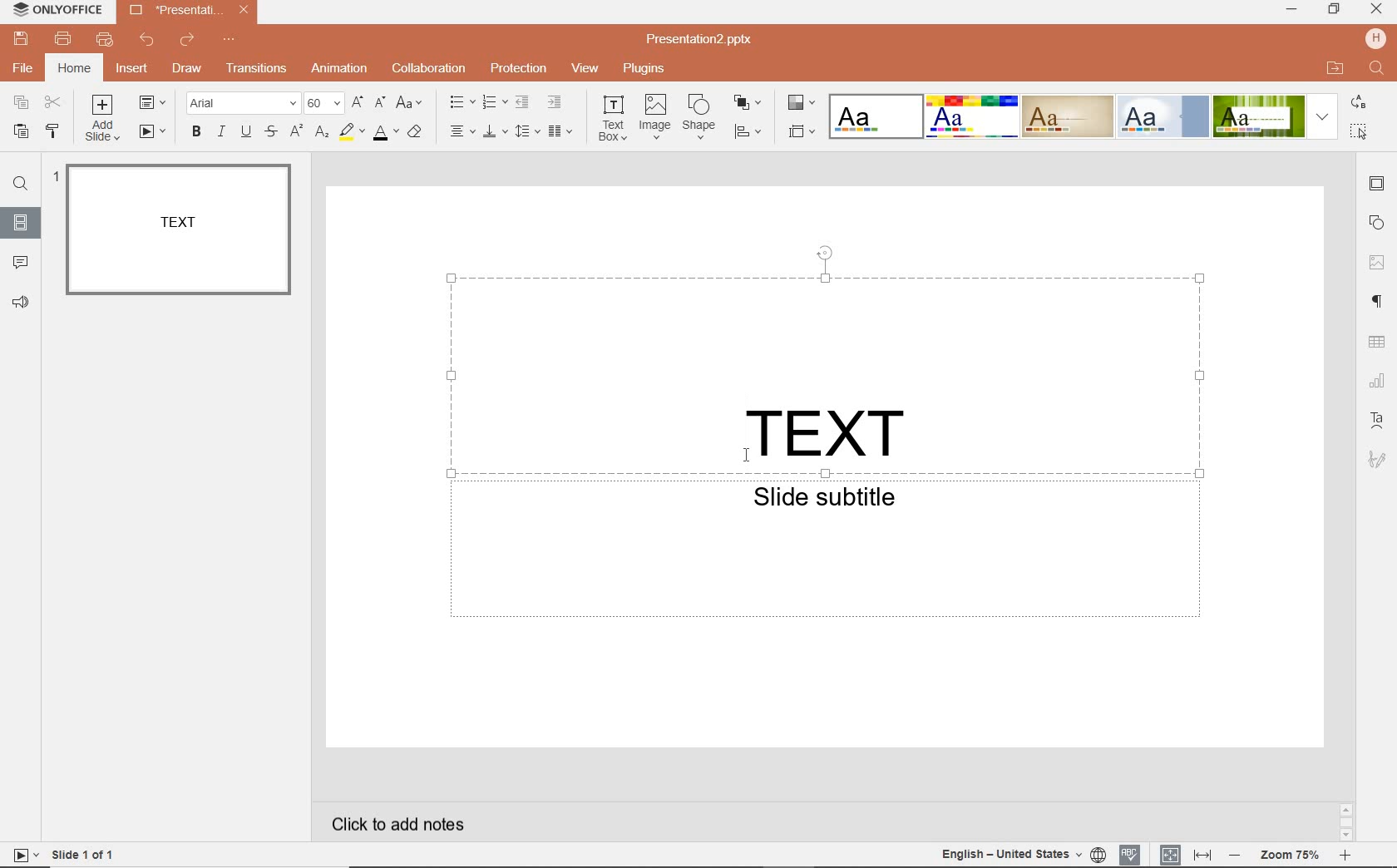 This screenshot has height=868, width=1397. What do you see at coordinates (22, 854) in the screenshot?
I see `star slide show` at bounding box center [22, 854].